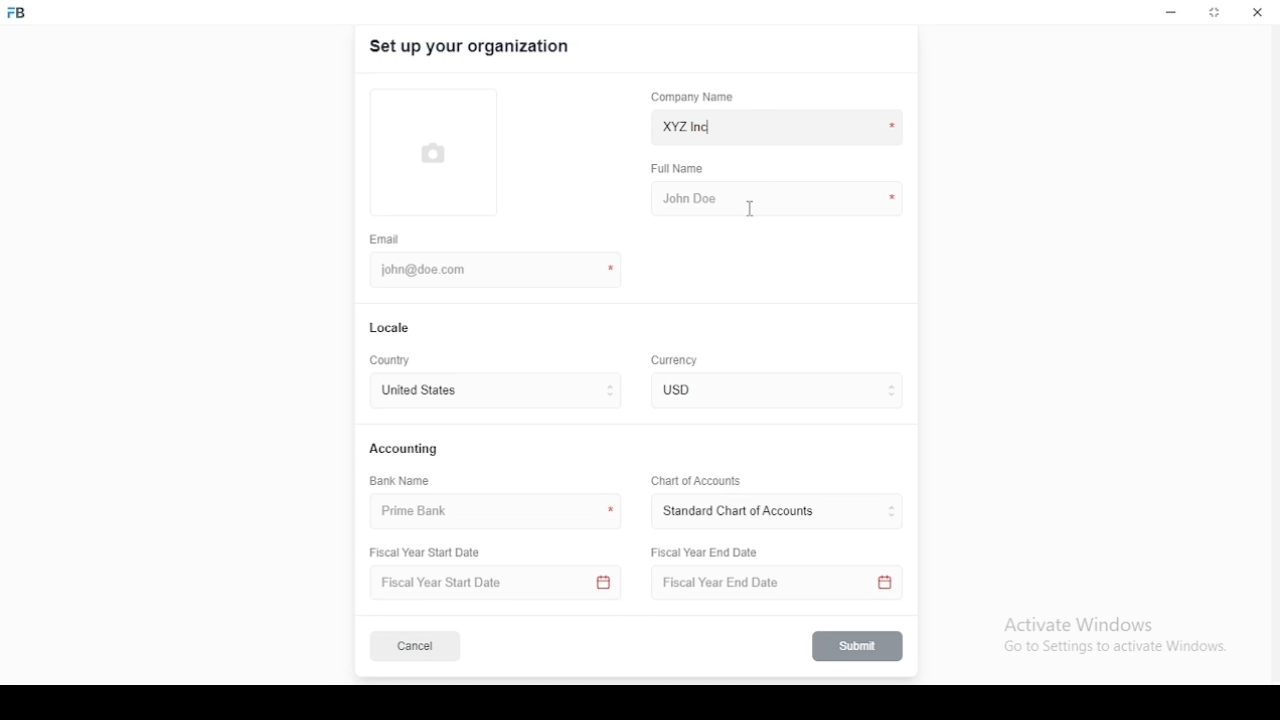 The image size is (1280, 720). What do you see at coordinates (431, 269) in the screenshot?
I see `john@doe.com` at bounding box center [431, 269].